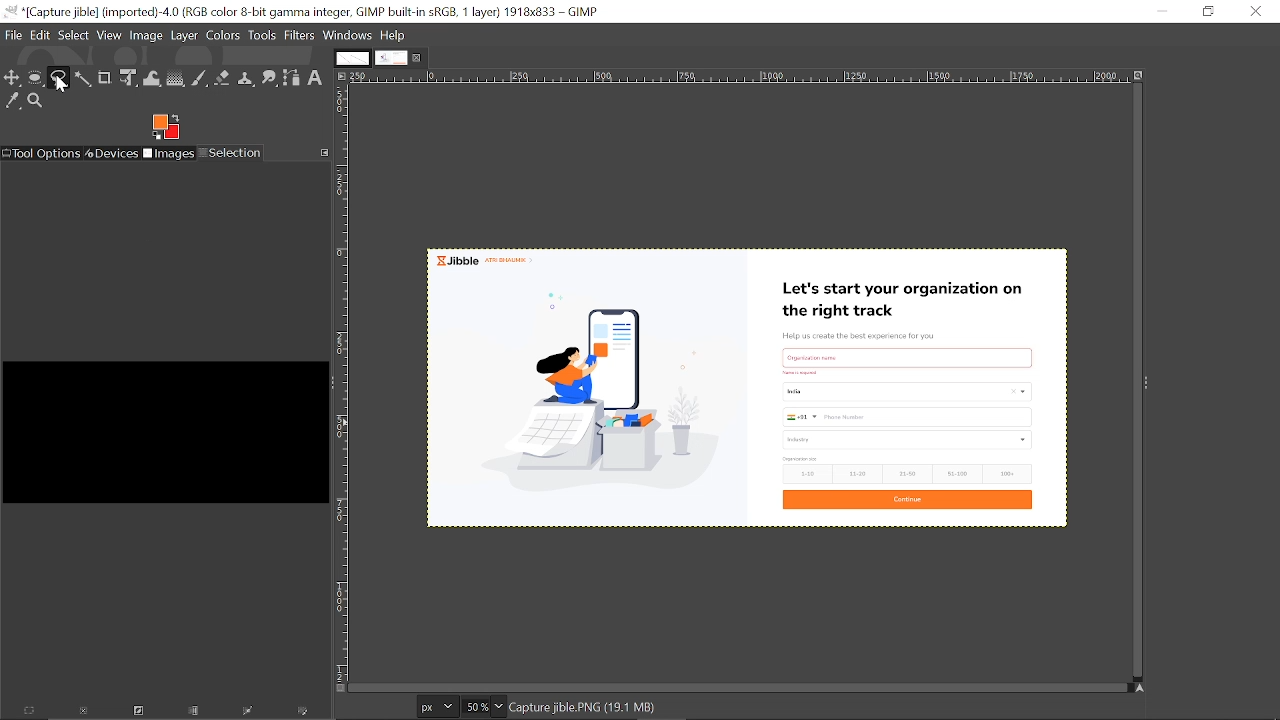 The image size is (1280, 720). I want to click on Zoom image when window size changes, so click(1141, 79).